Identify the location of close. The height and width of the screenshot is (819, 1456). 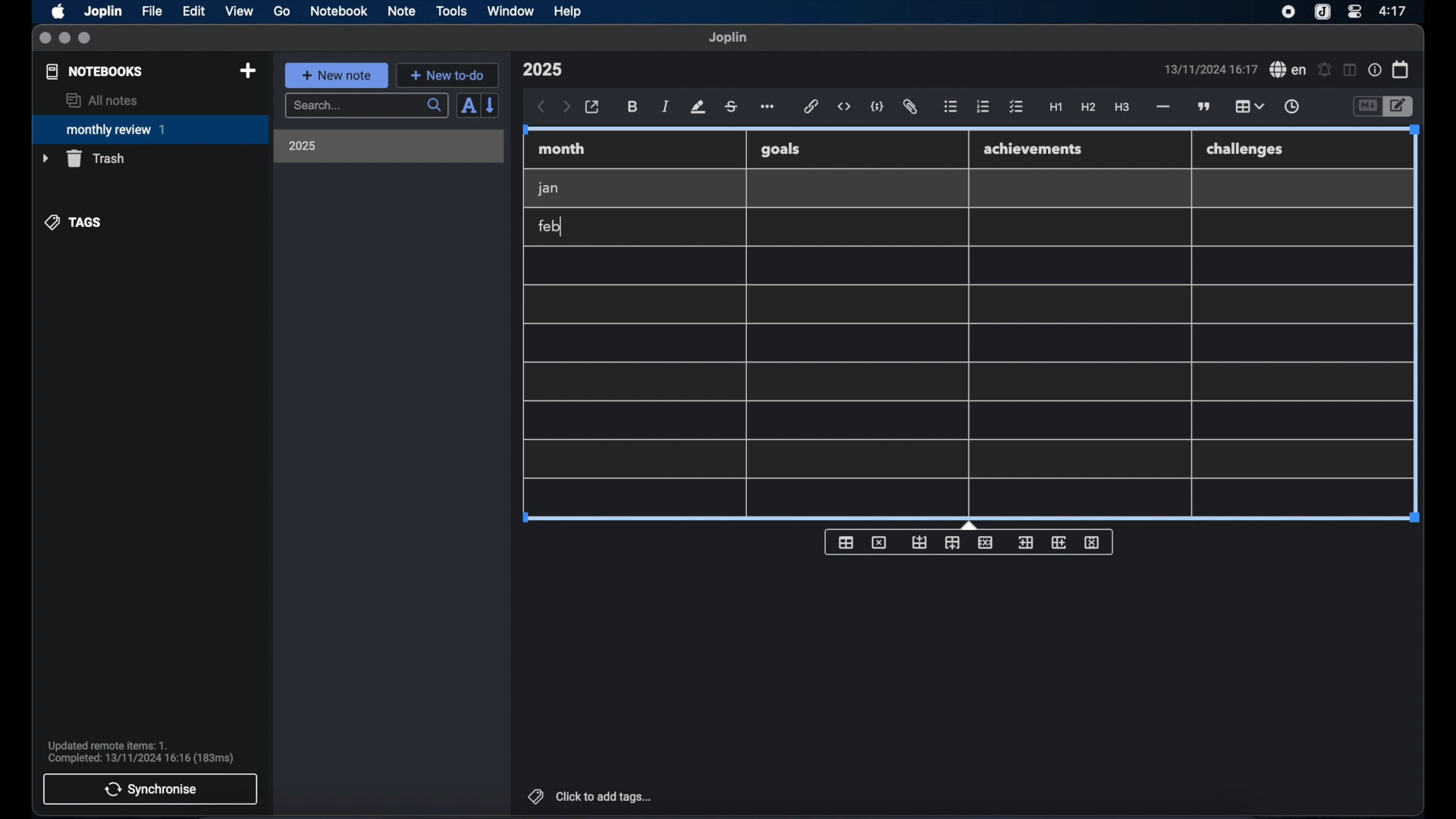
(45, 39).